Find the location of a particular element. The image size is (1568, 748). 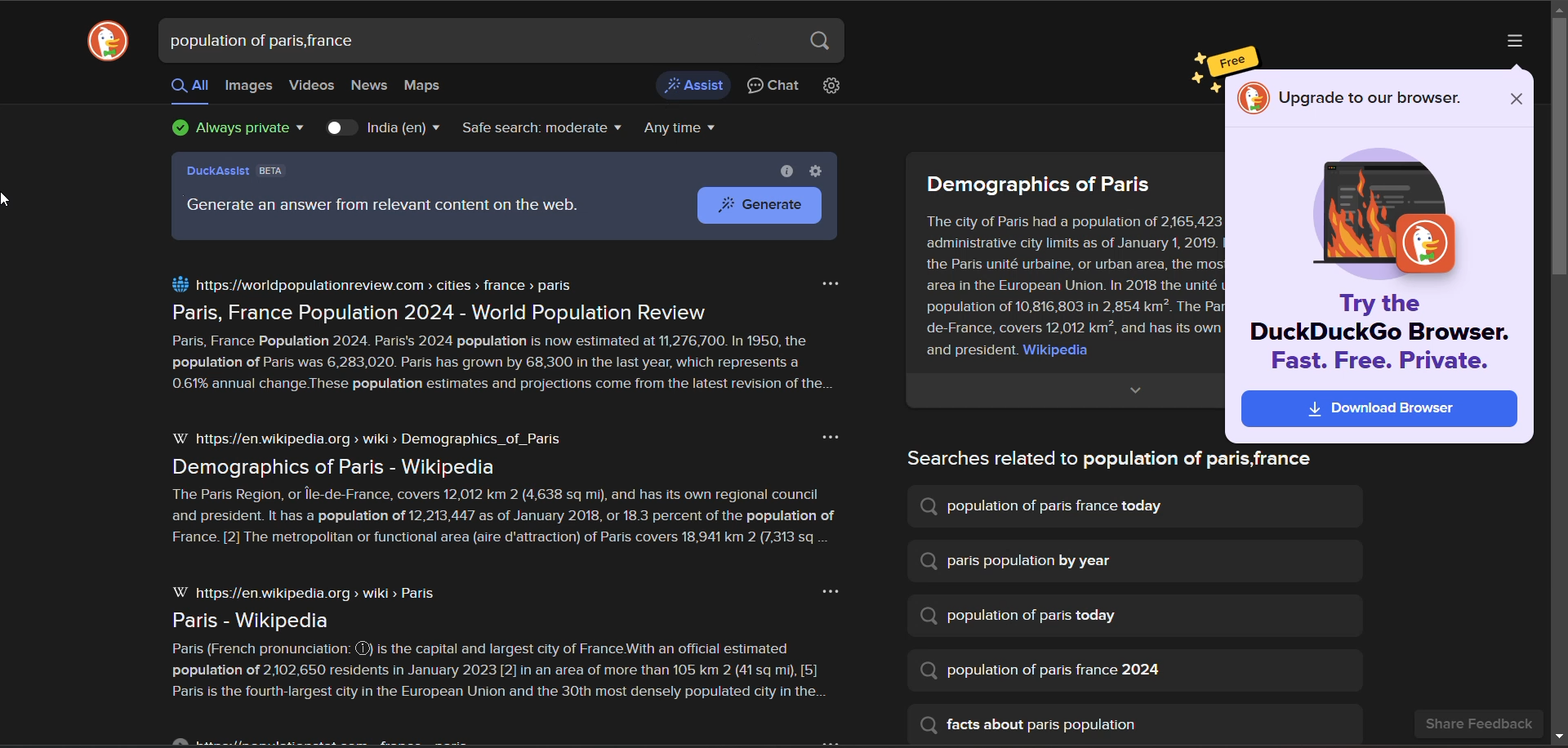

Paris (French pronunciation: (1)) is the capital and largest city of France With an official estimated
population of 2,102,650 residents in January 2023 [2] in an area of more than 105 km 2 (41sq mi), [5]
Paris is the fourth-largest city in the European Union and the 30th most densely populated city in the. is located at coordinates (506, 677).